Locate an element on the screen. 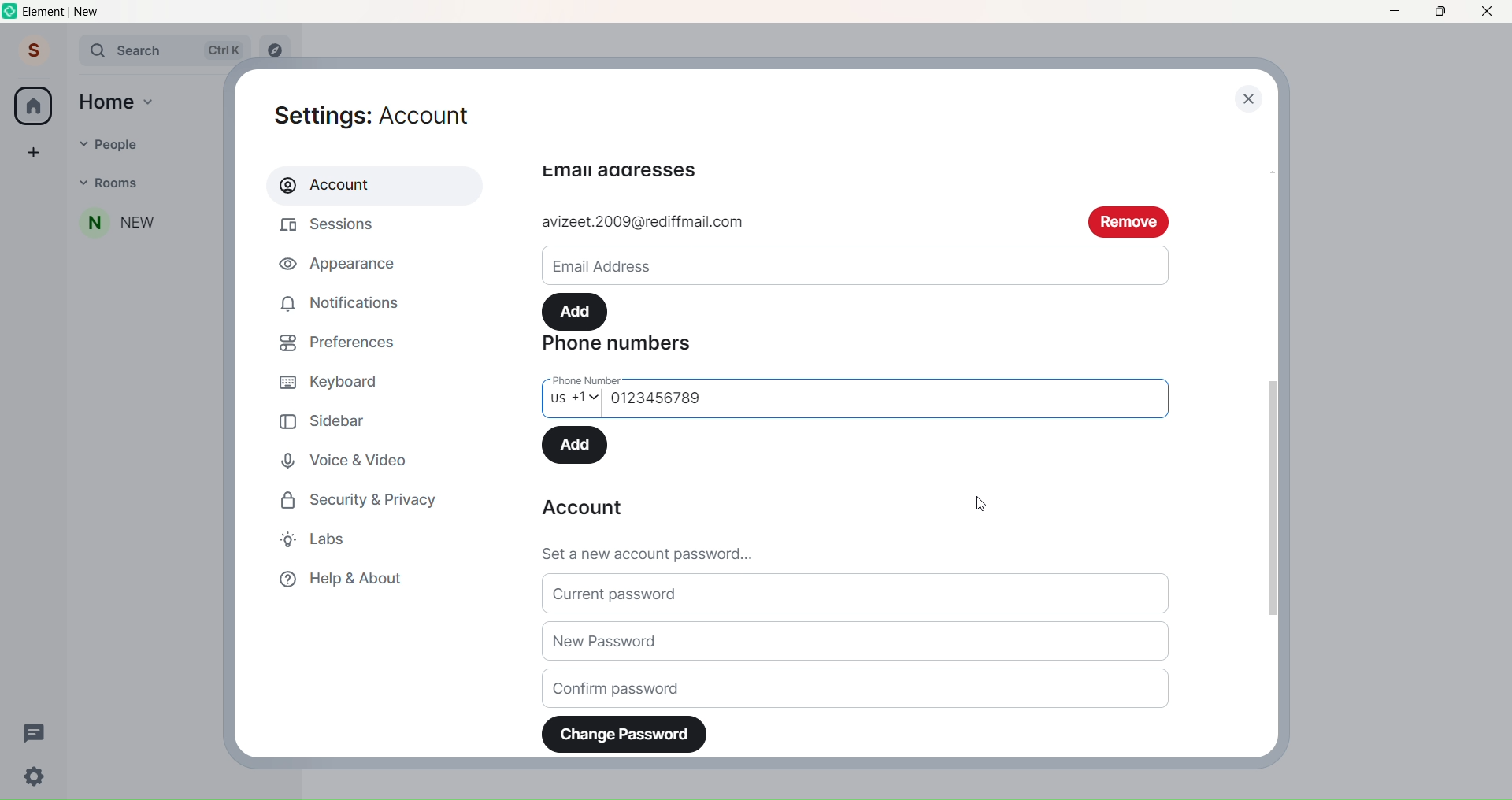  Close is located at coordinates (1488, 12).